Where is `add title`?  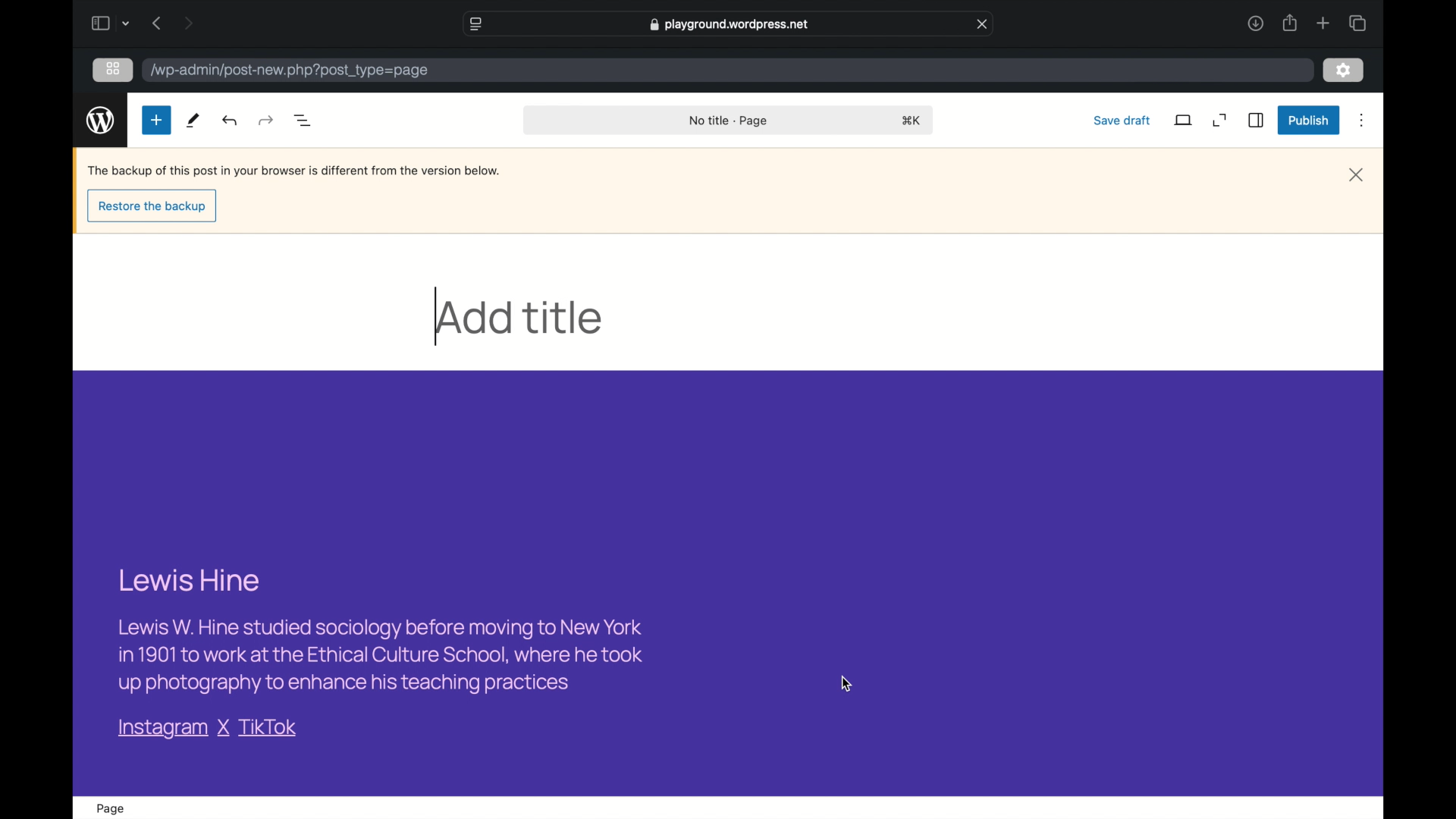 add title is located at coordinates (518, 317).